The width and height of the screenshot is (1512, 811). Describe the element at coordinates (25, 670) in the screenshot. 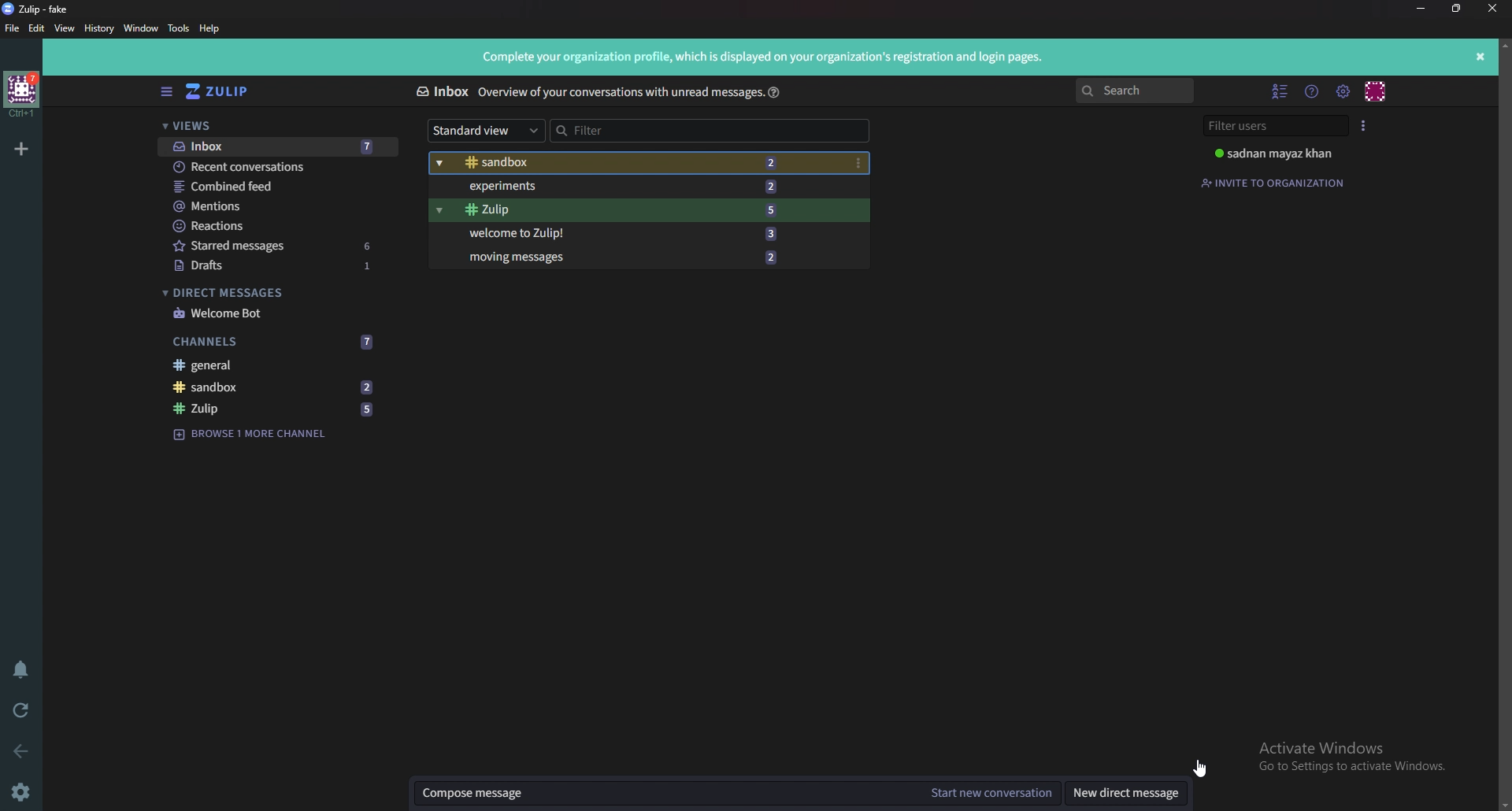

I see `Enable do not disturb` at that location.